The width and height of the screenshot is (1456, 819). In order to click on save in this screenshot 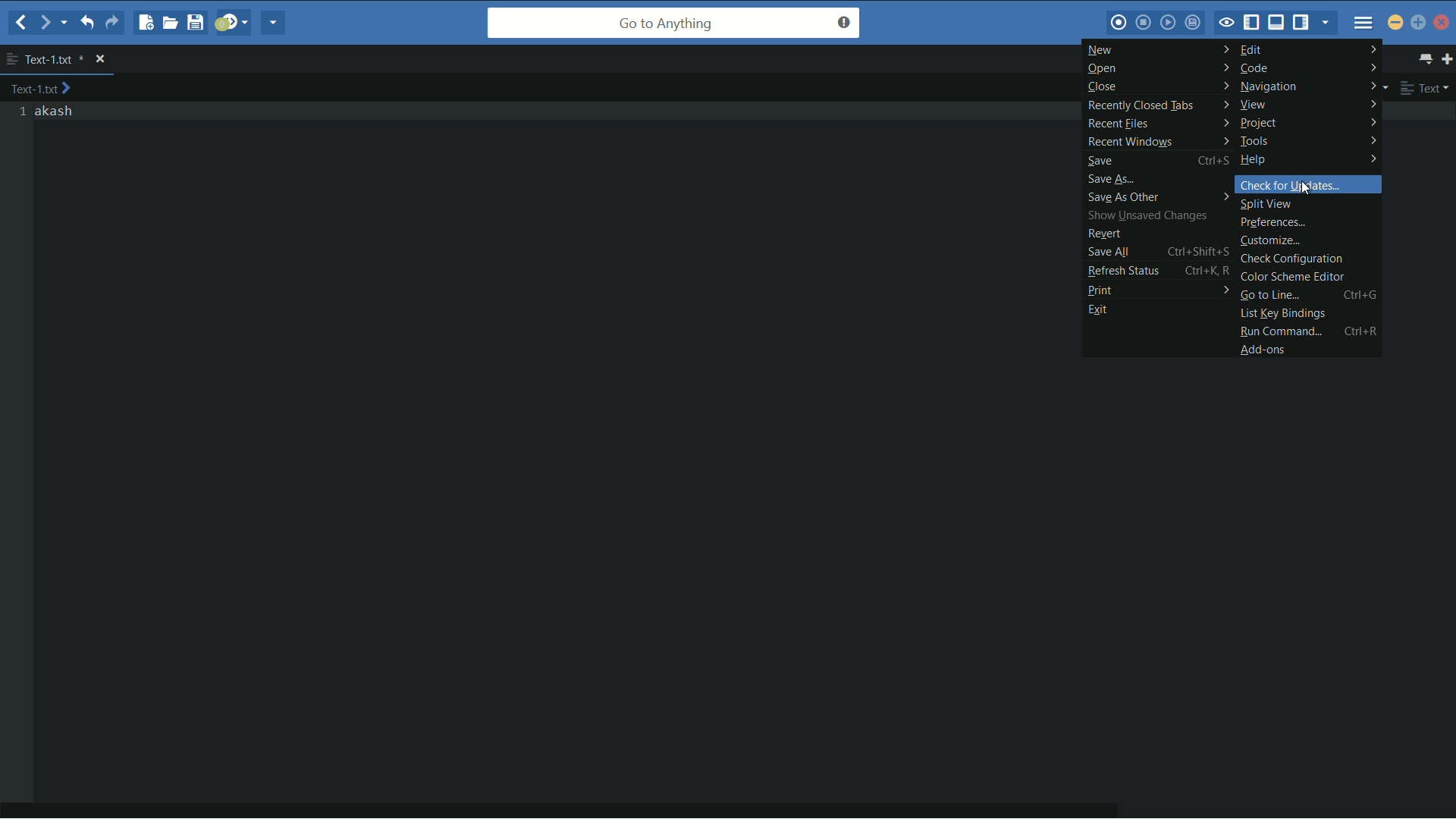, I will do `click(1158, 159)`.